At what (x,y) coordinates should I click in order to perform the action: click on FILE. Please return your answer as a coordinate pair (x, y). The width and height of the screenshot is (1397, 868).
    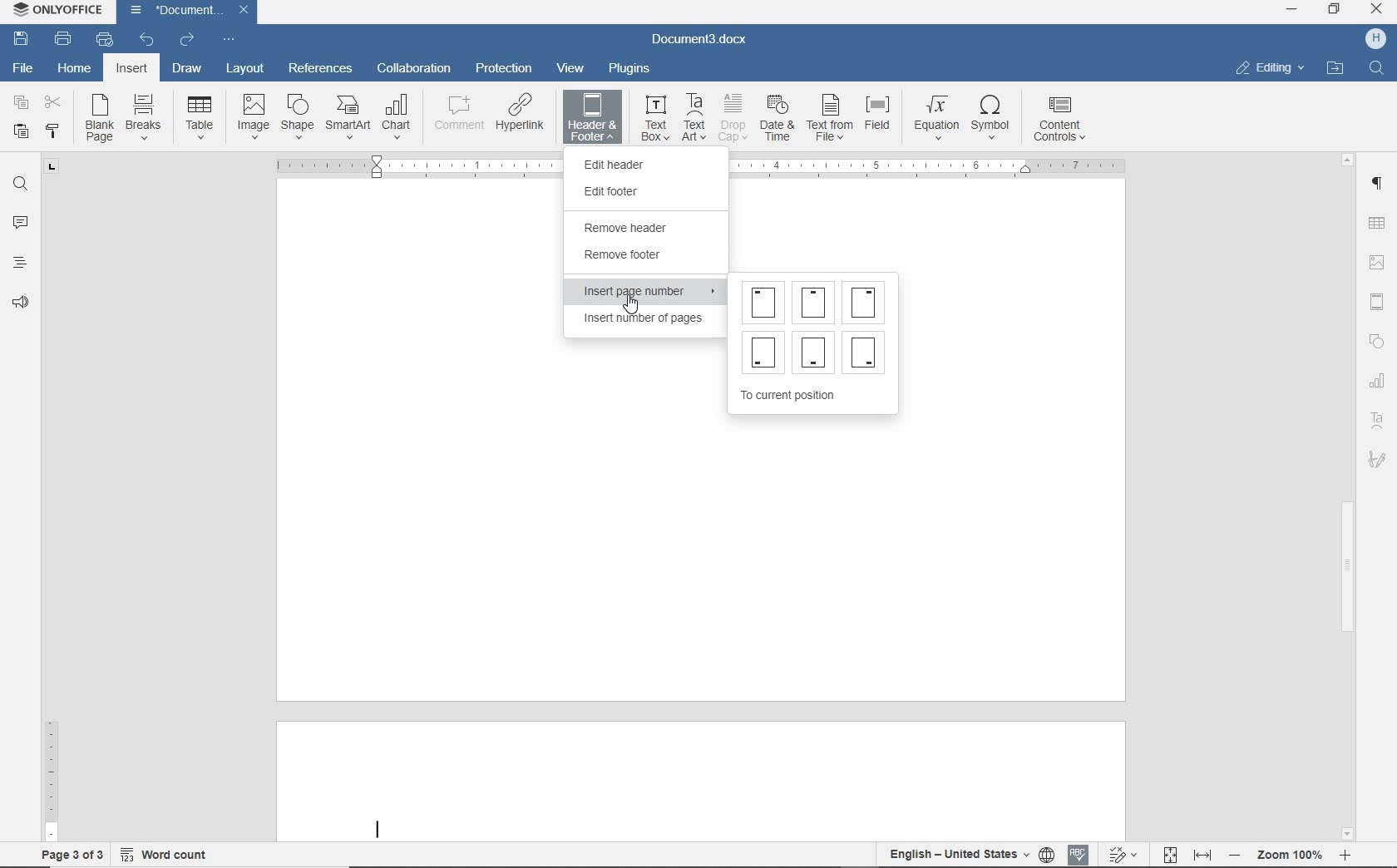
    Looking at the image, I should click on (25, 70).